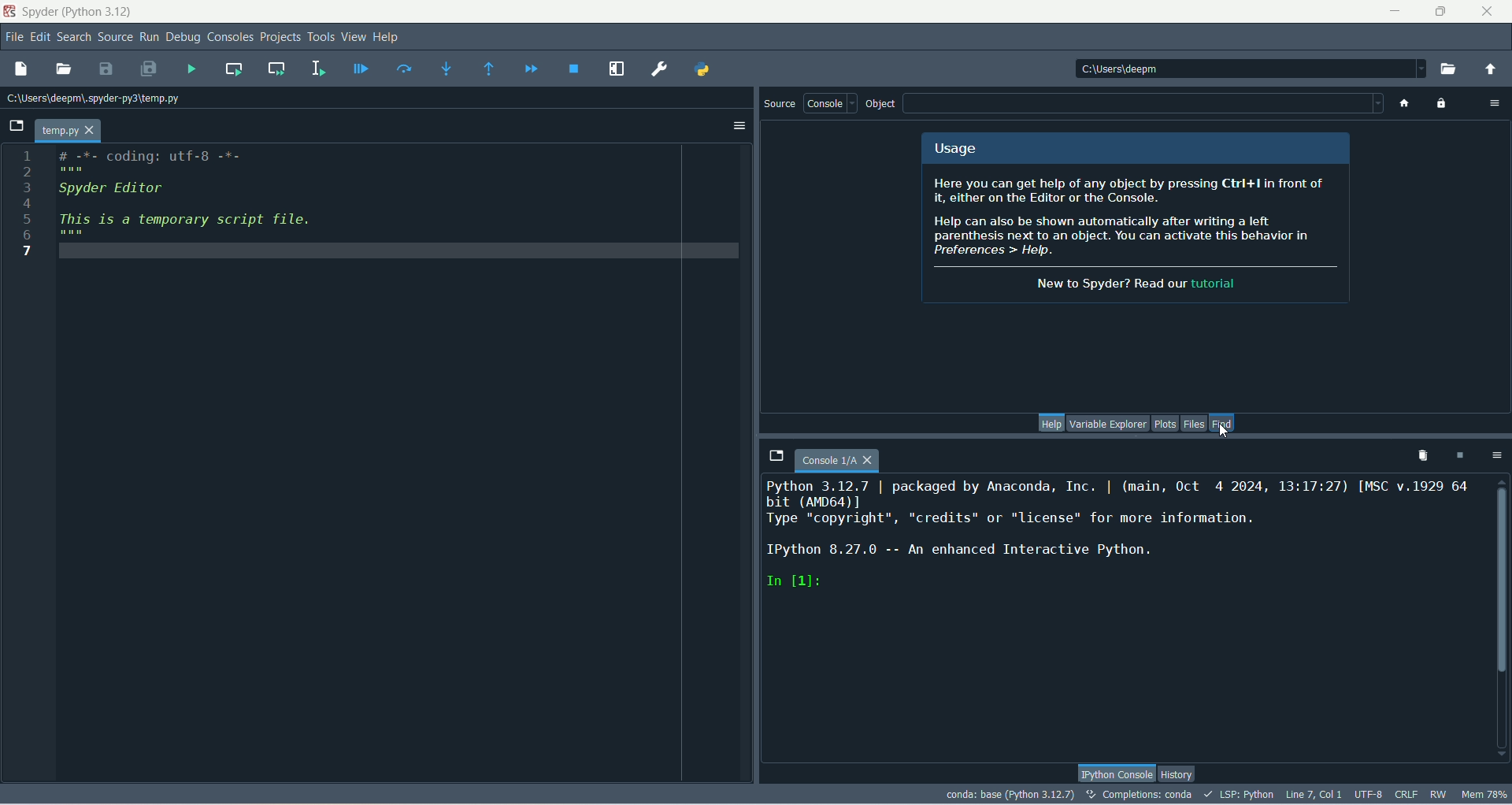 The width and height of the screenshot is (1512, 805). What do you see at coordinates (1143, 104) in the screenshot?
I see `blank space` at bounding box center [1143, 104].